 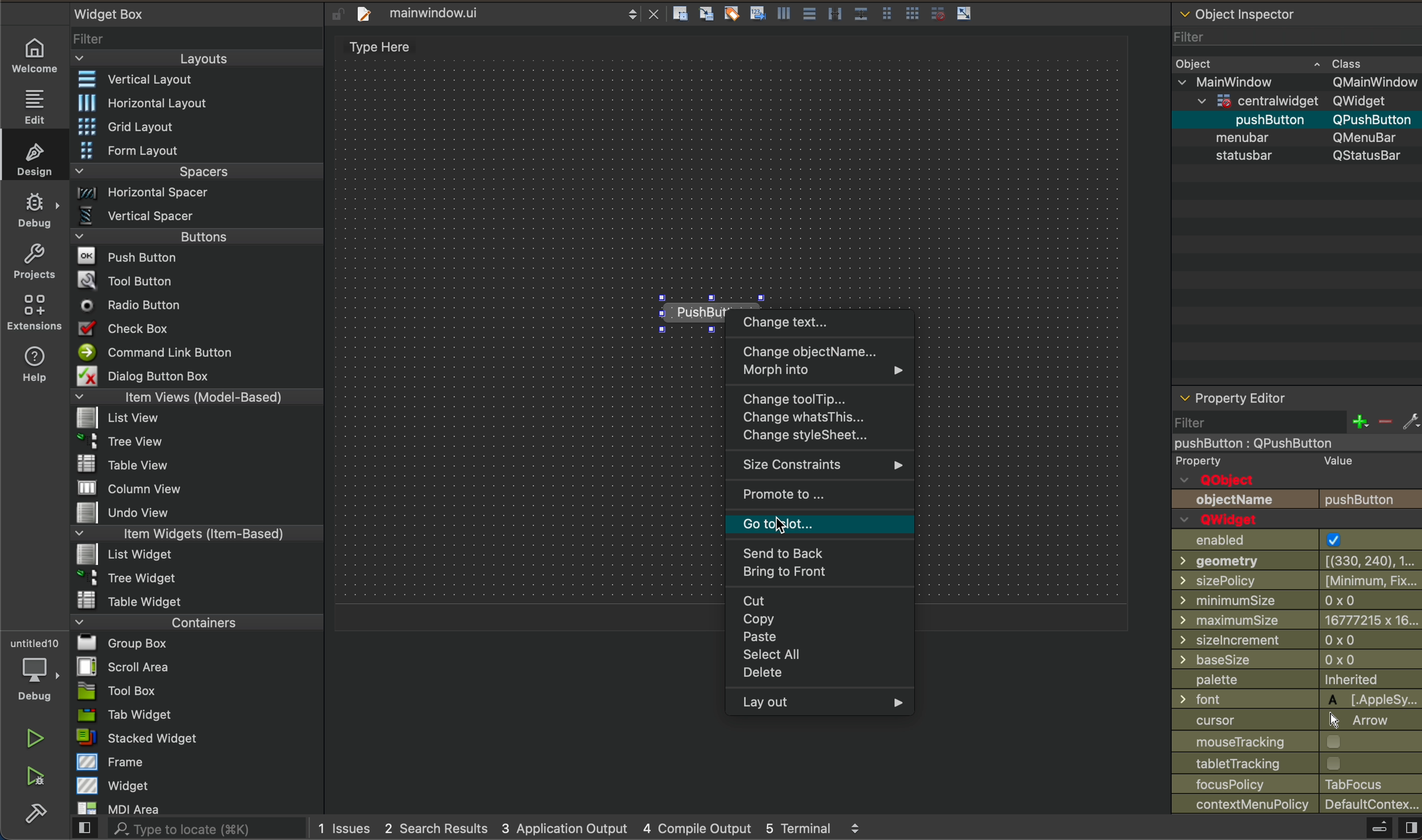 I want to click on push button, so click(x=1215, y=121).